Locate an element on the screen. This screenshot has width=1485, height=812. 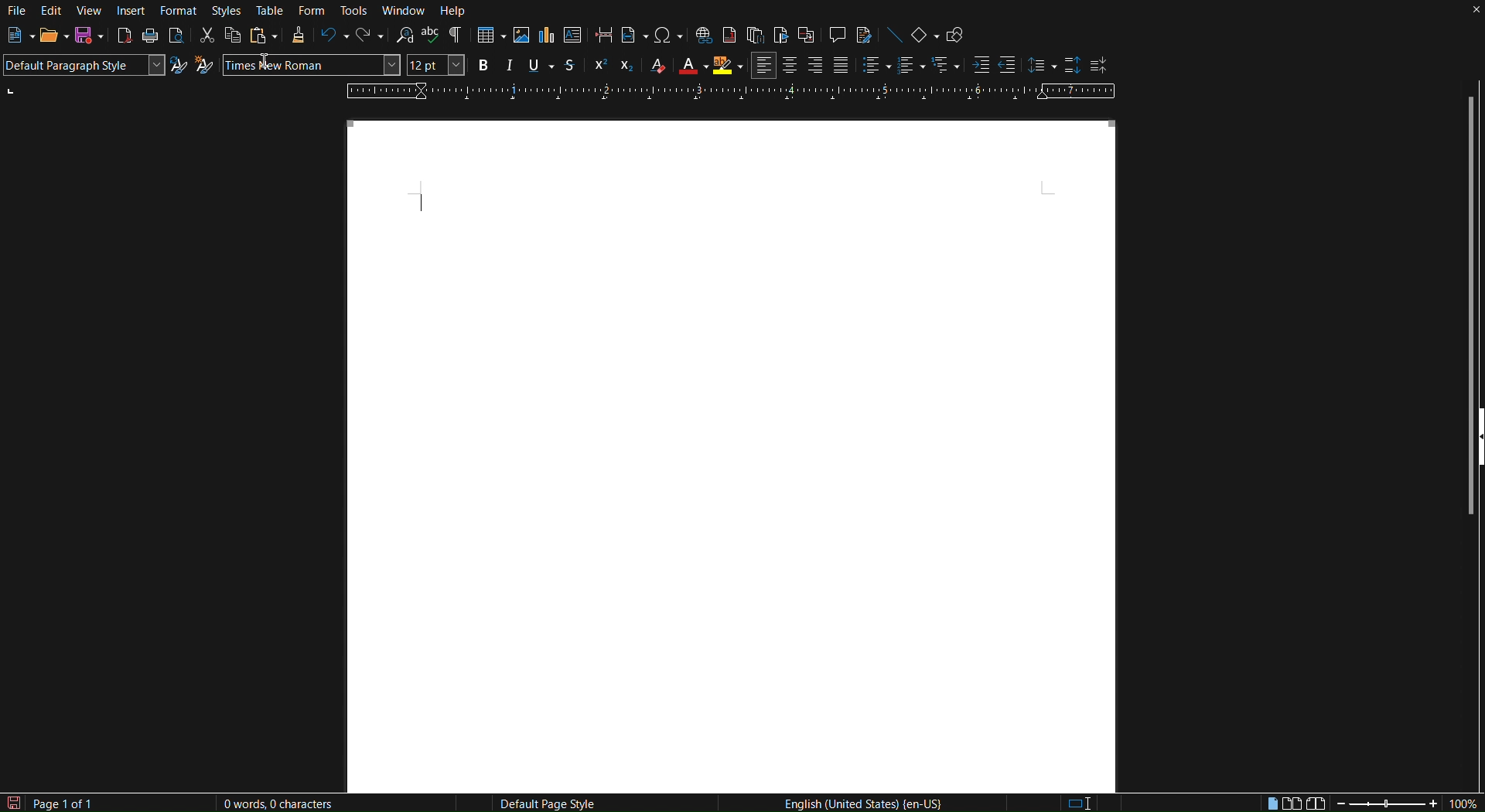
Form  is located at coordinates (312, 11).